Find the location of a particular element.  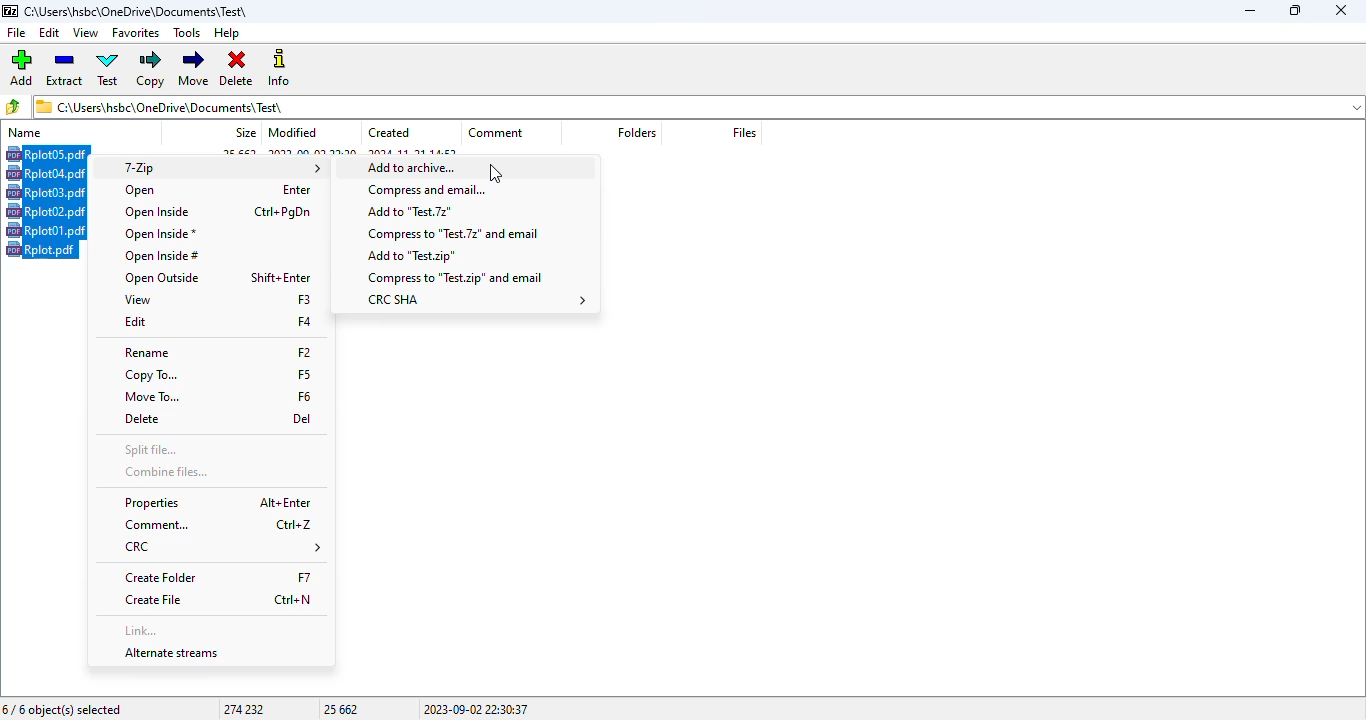

close is located at coordinates (1341, 10).